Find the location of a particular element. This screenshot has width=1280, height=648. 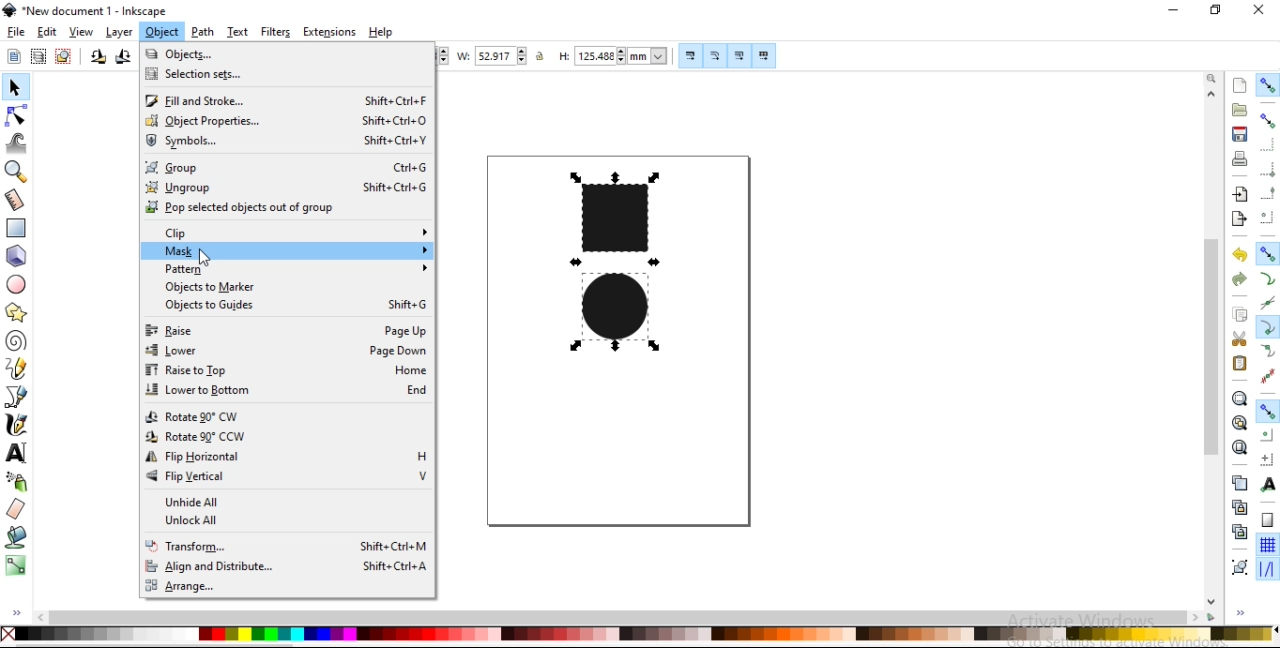

move gradients along with objects is located at coordinates (738, 56).